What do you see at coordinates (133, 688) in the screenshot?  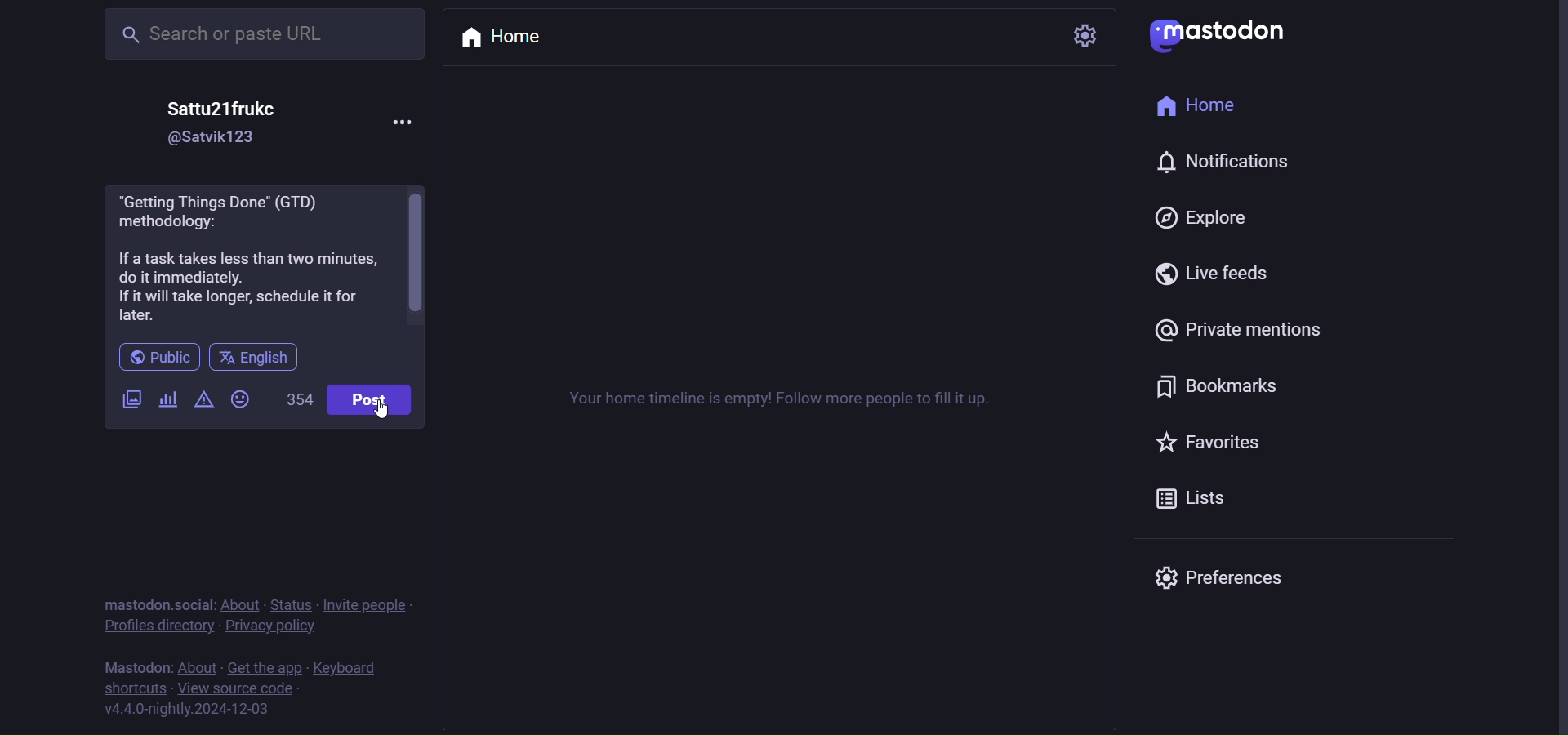 I see `shortcuts` at bounding box center [133, 688].